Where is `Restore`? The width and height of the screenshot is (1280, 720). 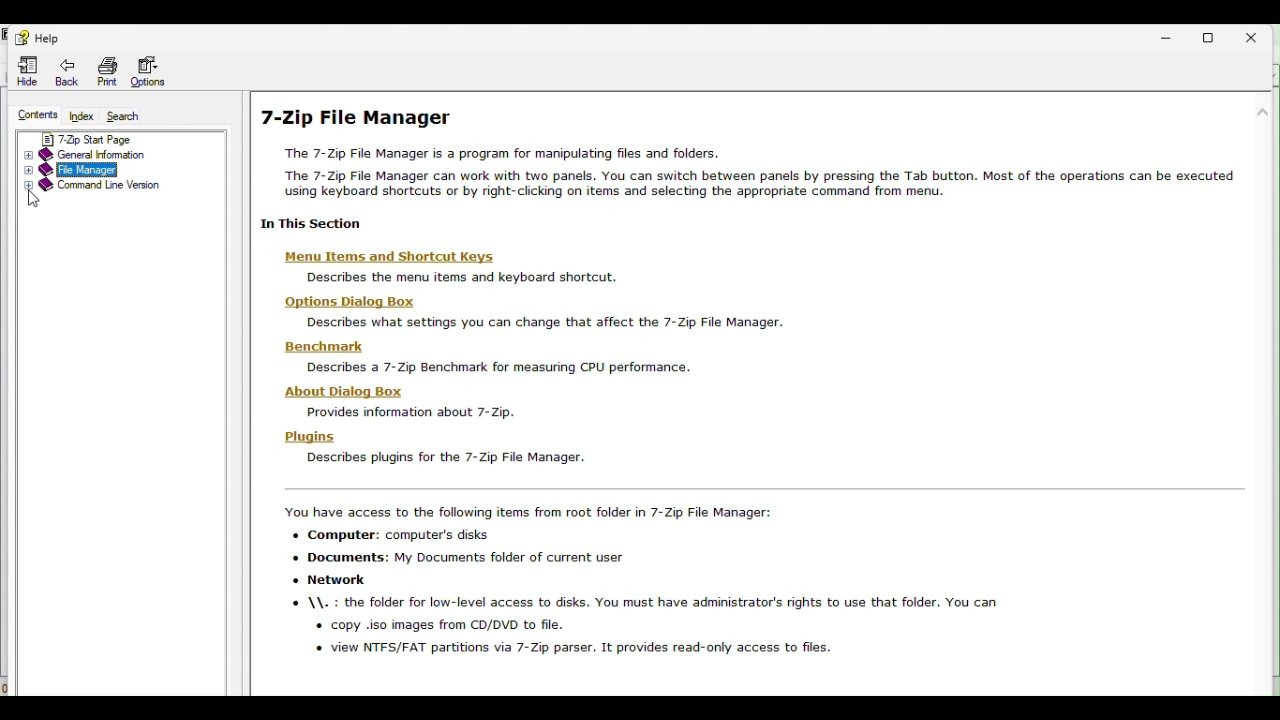
Restore is located at coordinates (1215, 37).